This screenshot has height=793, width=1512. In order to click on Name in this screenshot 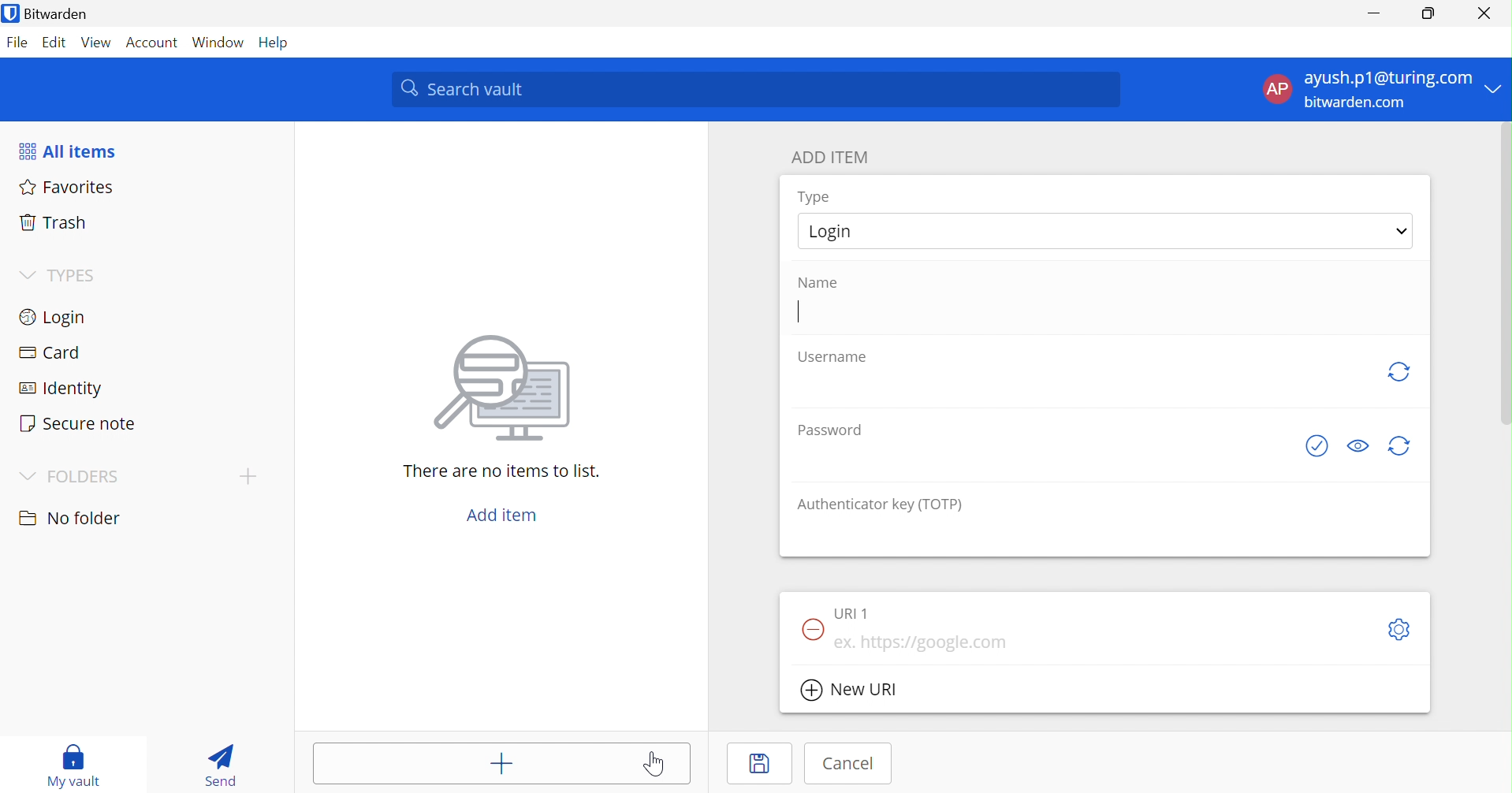, I will do `click(818, 282)`.